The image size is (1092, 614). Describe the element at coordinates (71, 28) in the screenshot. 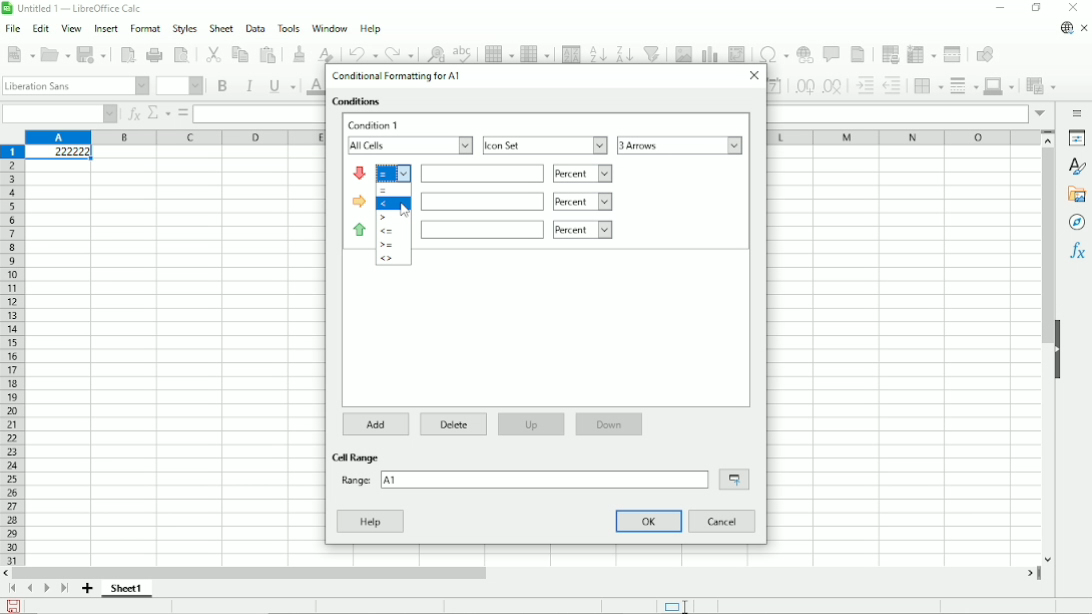

I see `View` at that location.